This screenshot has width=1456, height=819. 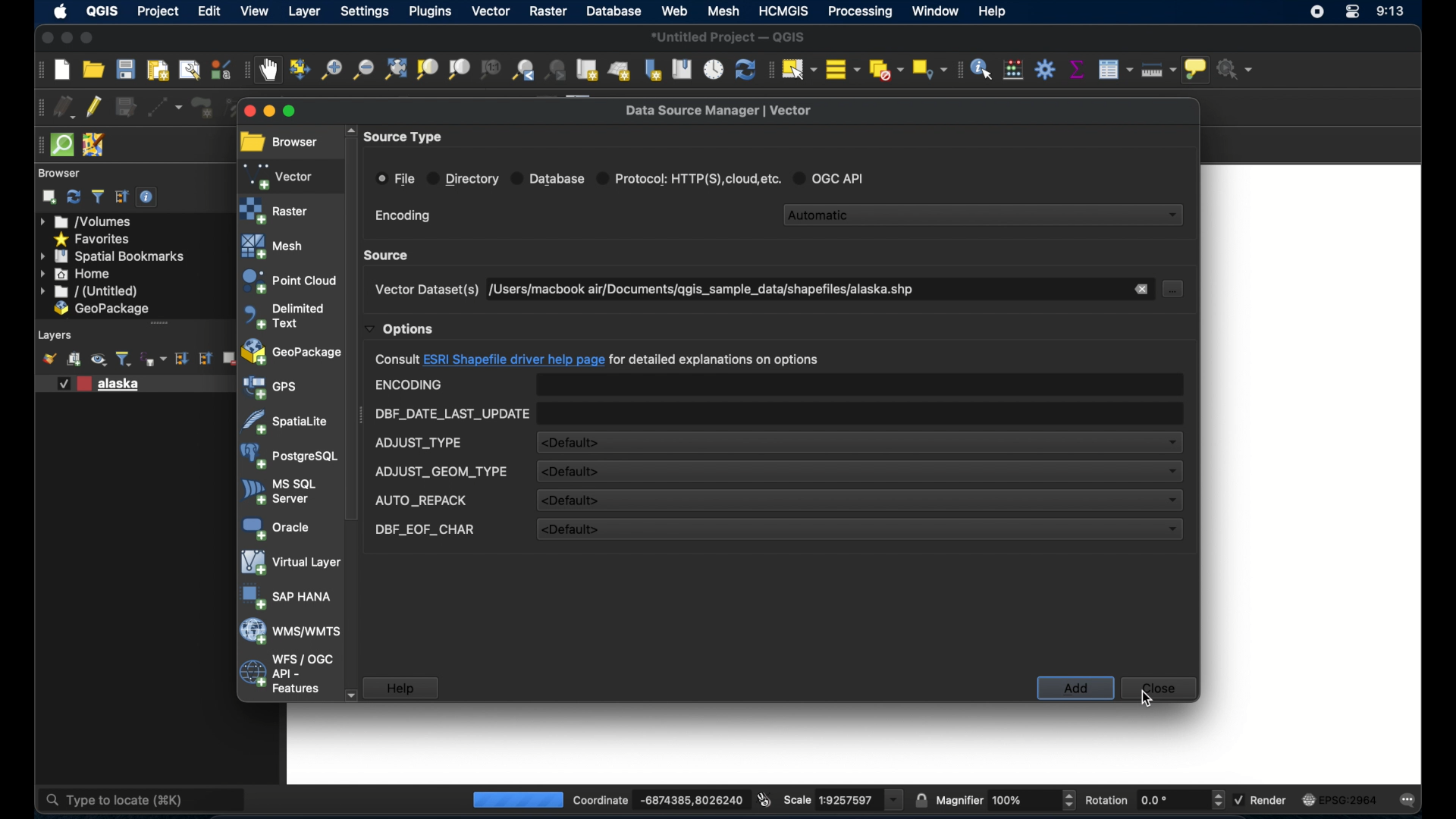 What do you see at coordinates (1352, 14) in the screenshot?
I see `control center` at bounding box center [1352, 14].